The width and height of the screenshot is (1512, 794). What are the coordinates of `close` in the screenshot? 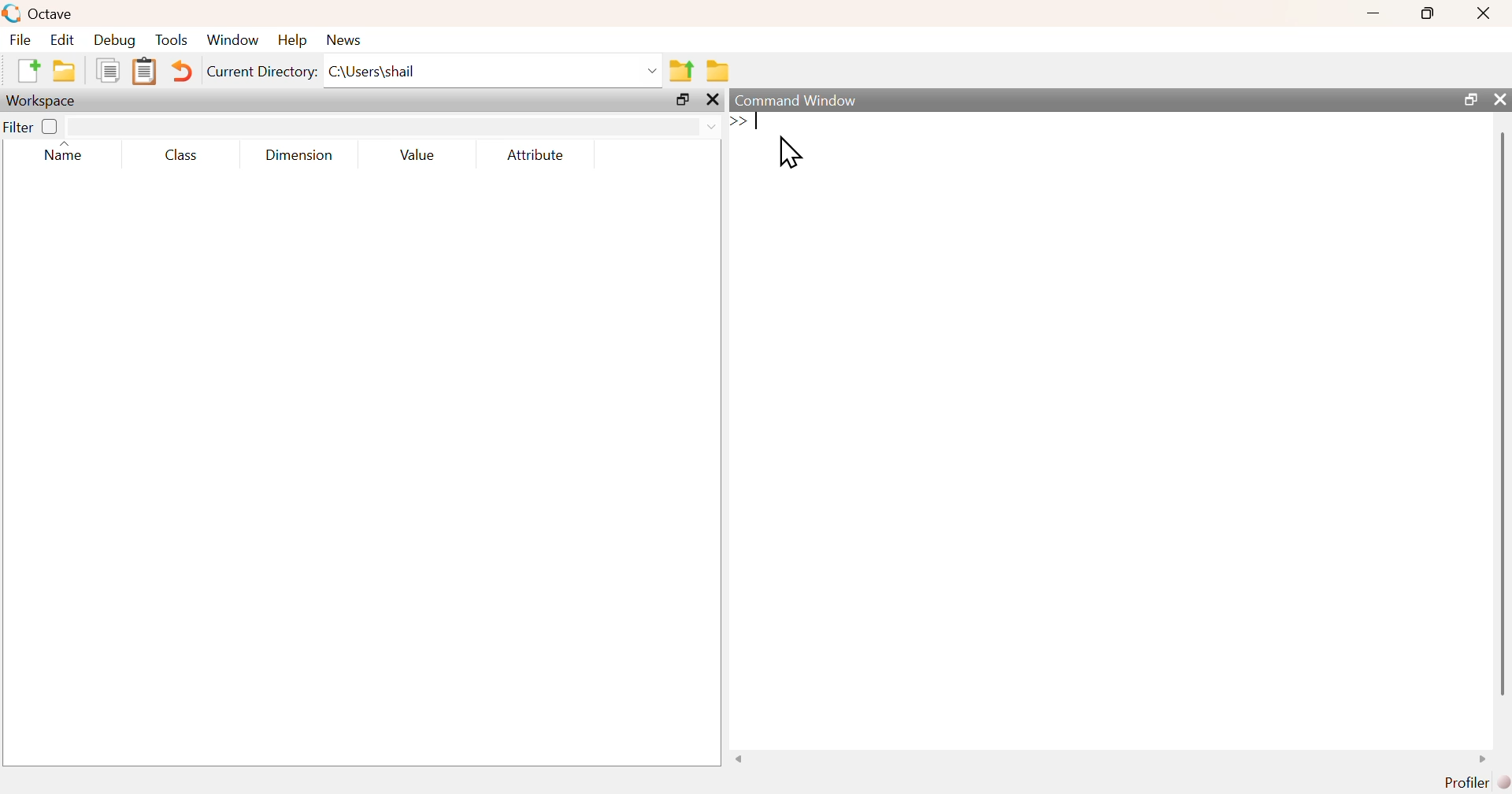 It's located at (713, 100).